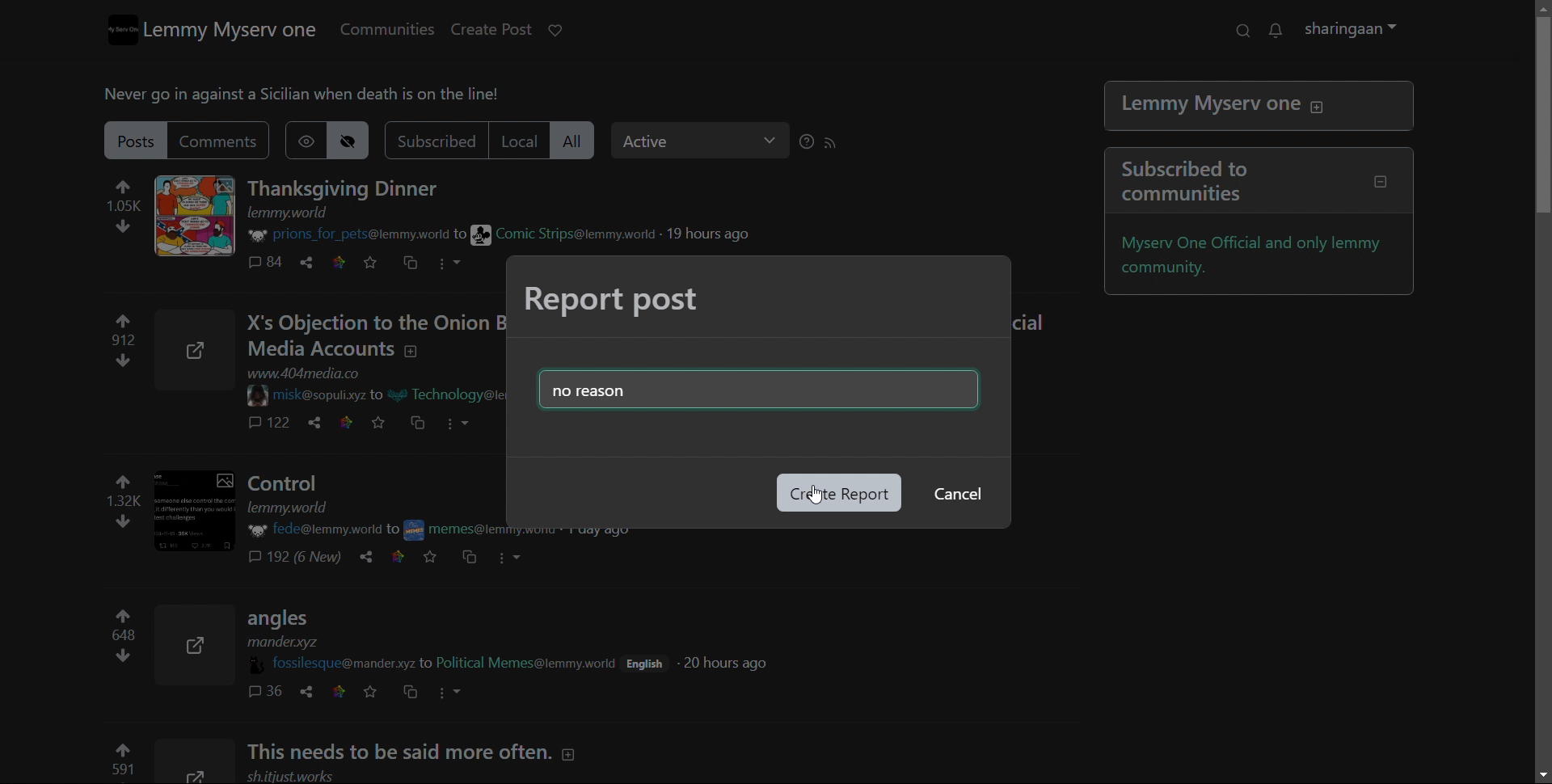  Describe the element at coordinates (433, 752) in the screenshot. I see `Post on "This needs to be said more often."` at that location.